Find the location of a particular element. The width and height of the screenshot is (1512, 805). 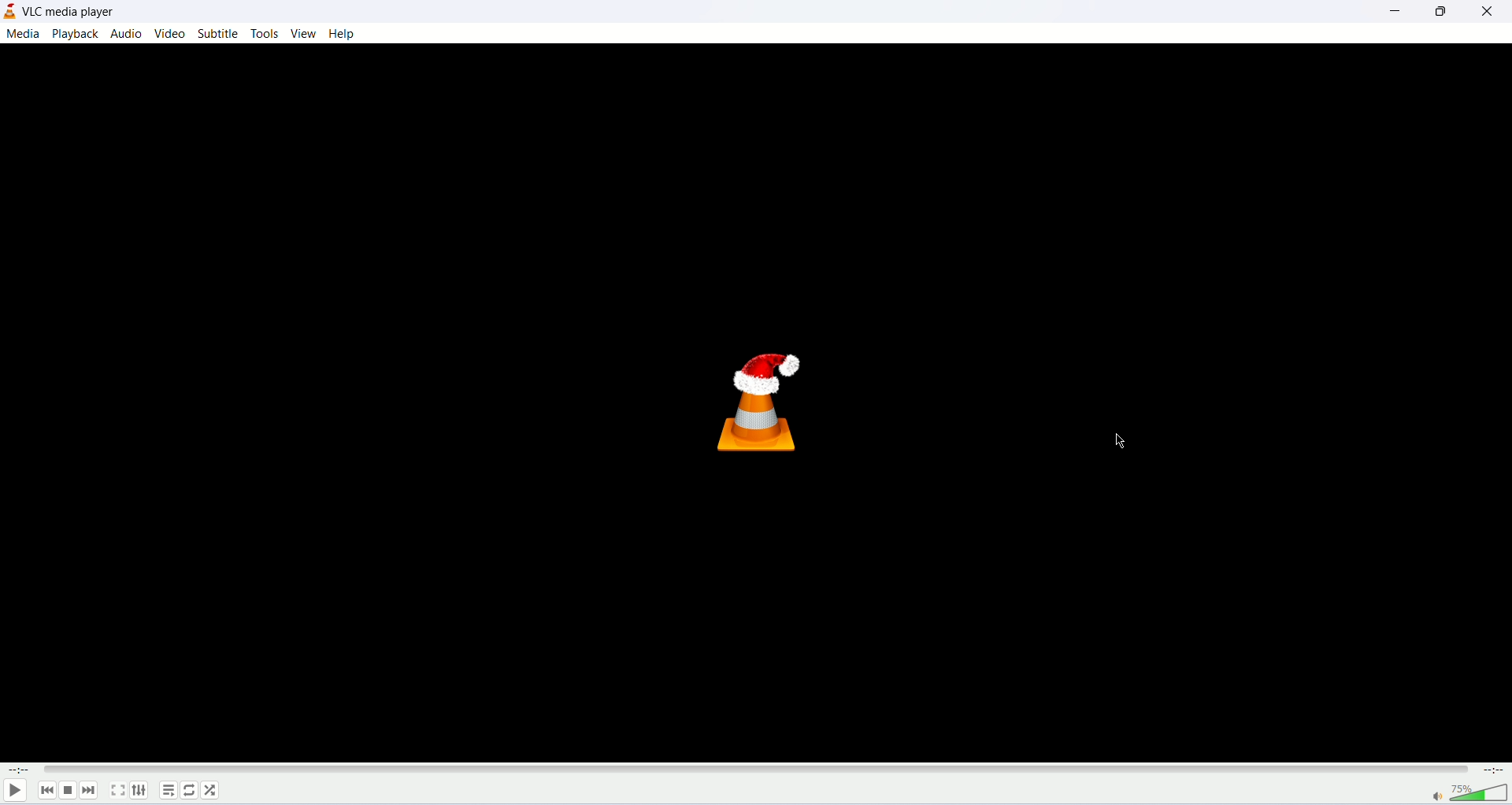

playback is located at coordinates (76, 34).